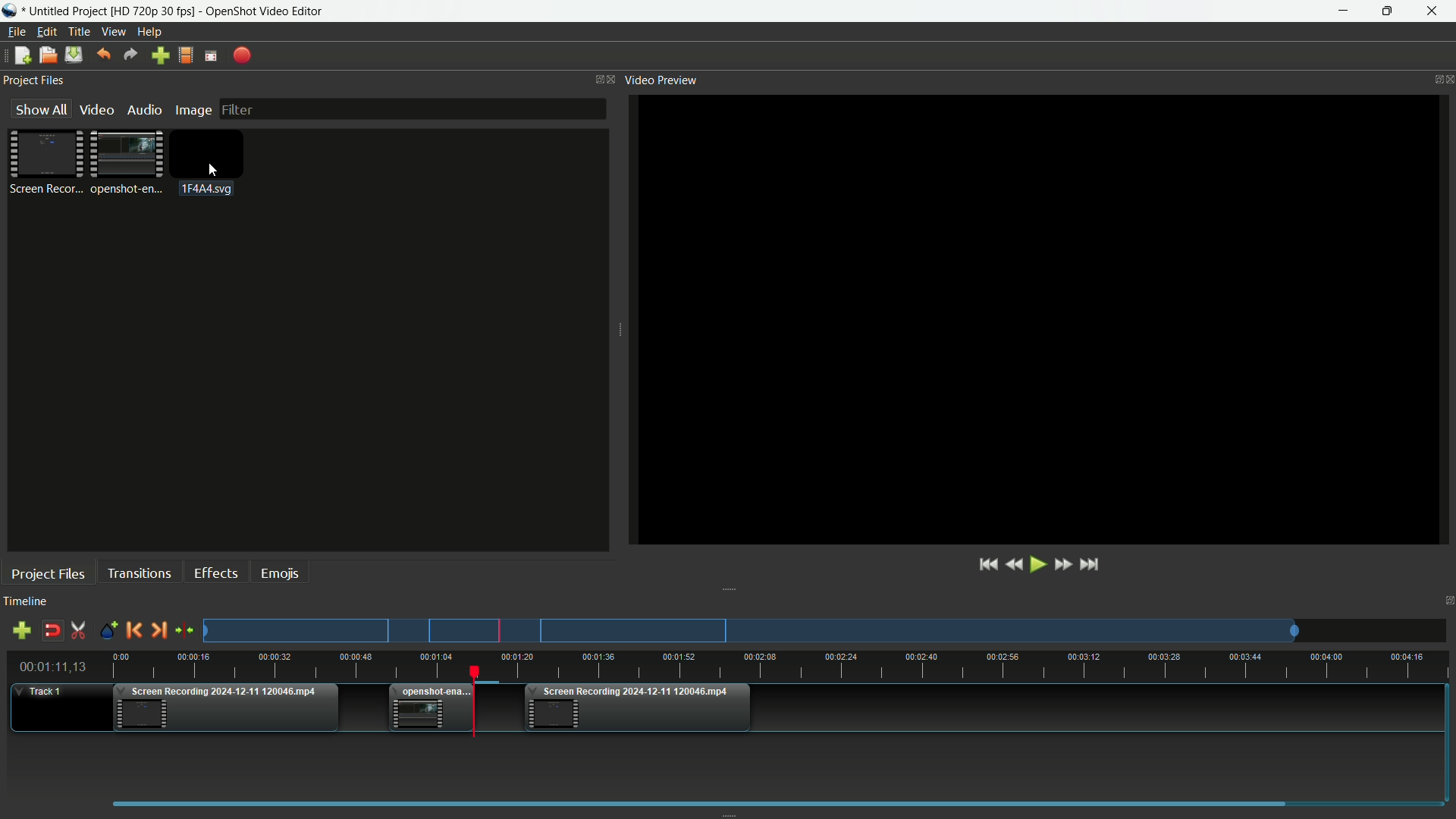 This screenshot has height=819, width=1456. What do you see at coordinates (130, 55) in the screenshot?
I see `Redo` at bounding box center [130, 55].